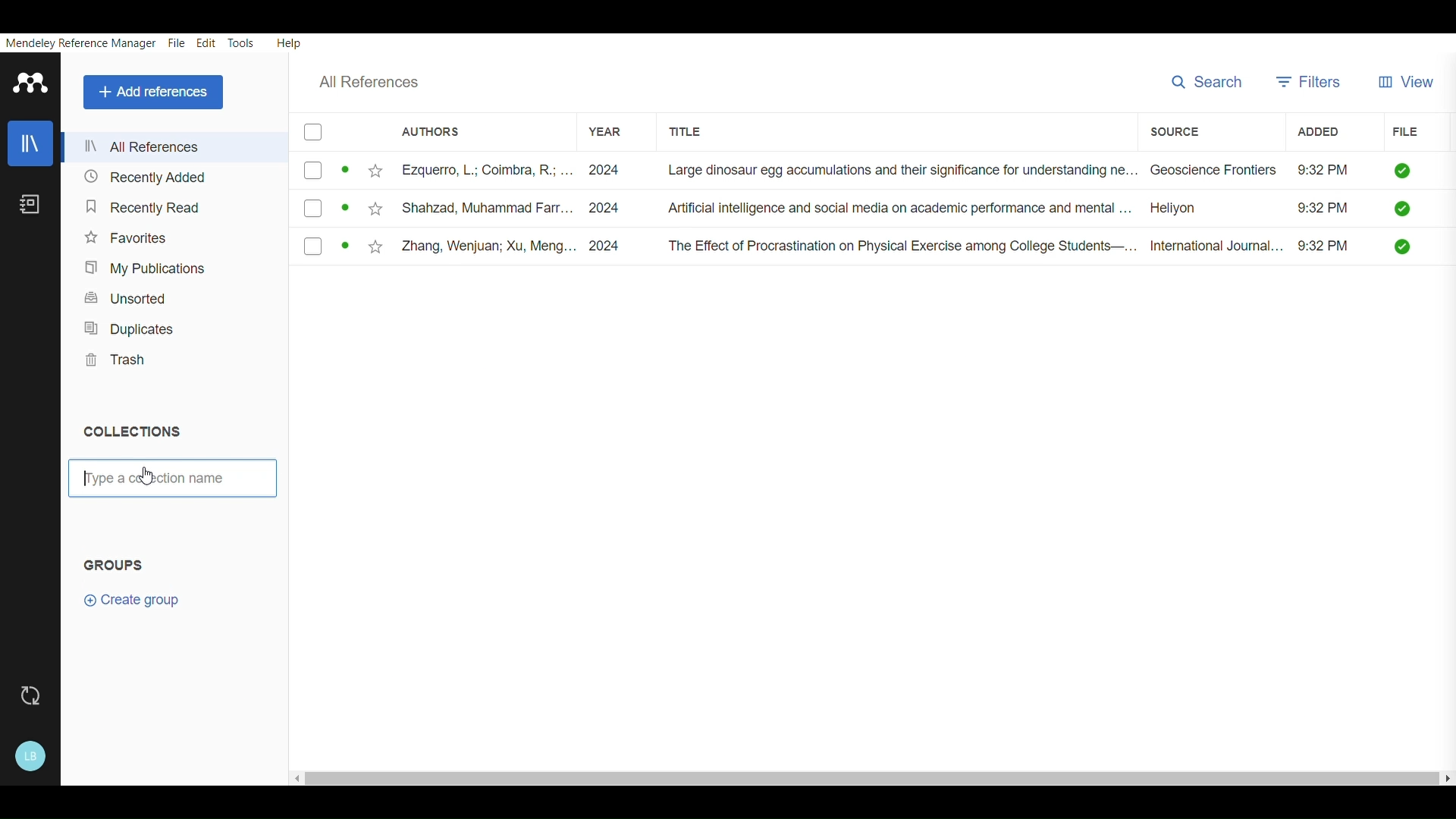  What do you see at coordinates (462, 206) in the screenshot?
I see `Shahzad, Muhammad Farr.` at bounding box center [462, 206].